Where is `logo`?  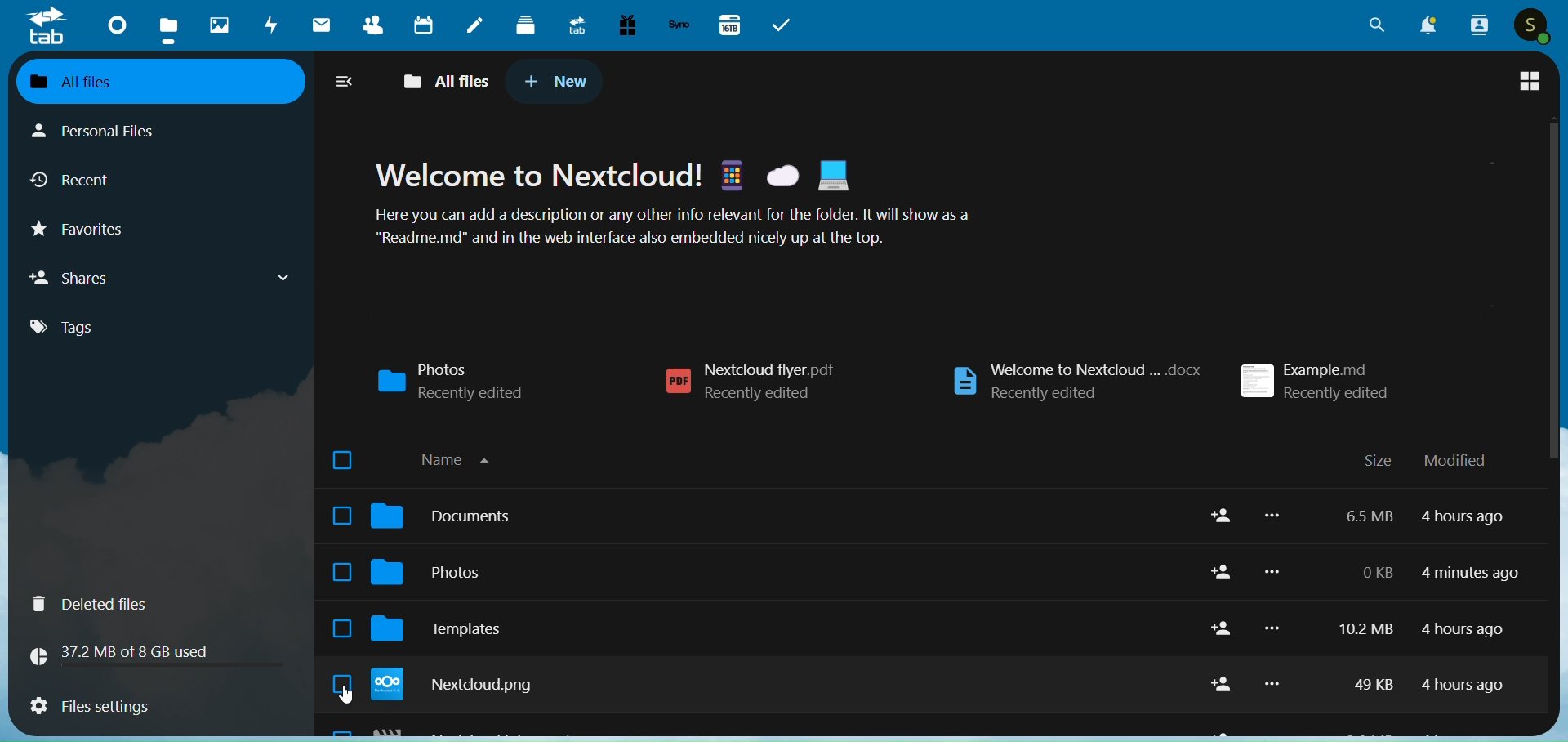 logo is located at coordinates (47, 28).